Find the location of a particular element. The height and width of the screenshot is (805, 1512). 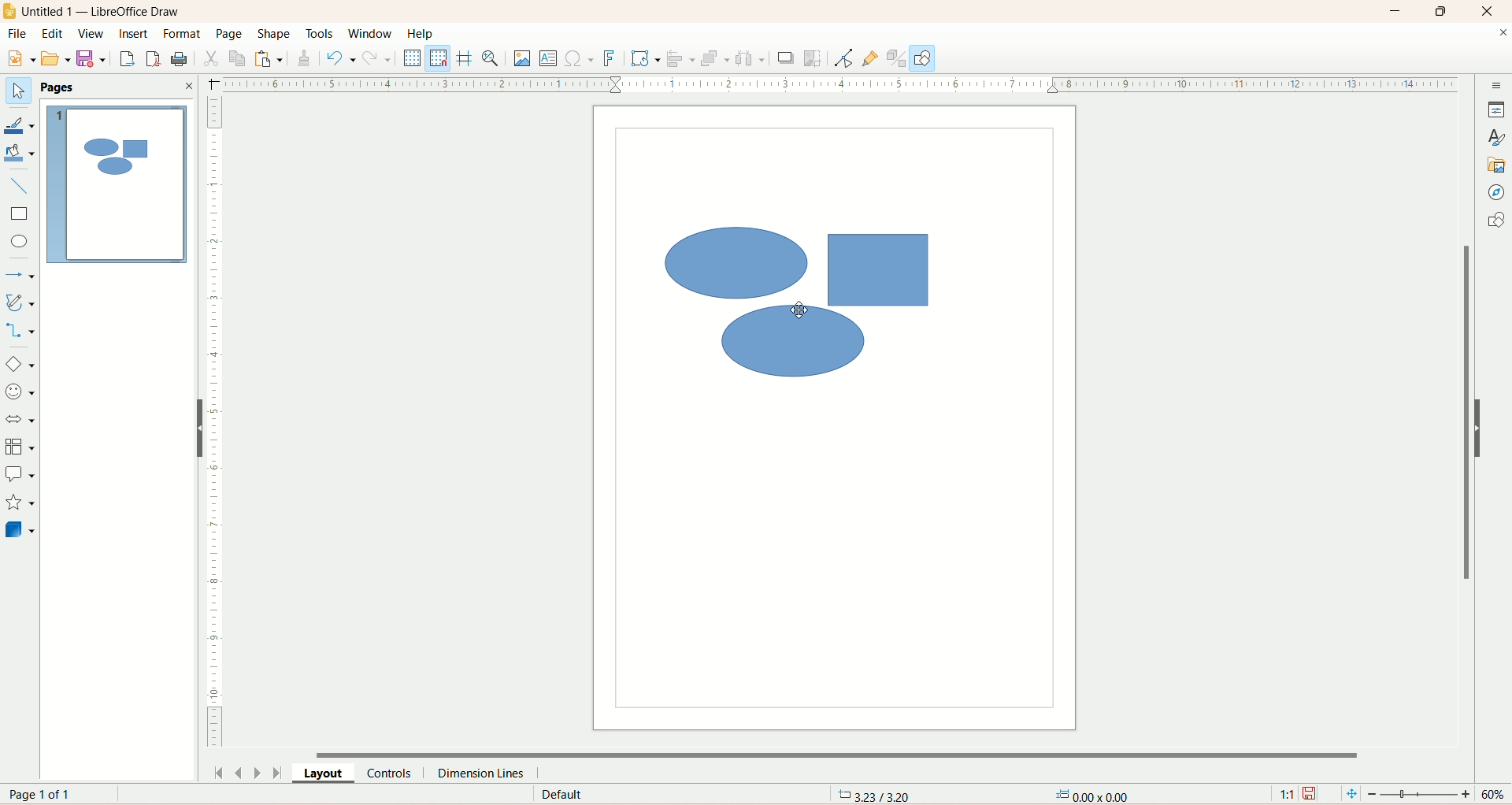

export directly as PDF is located at coordinates (153, 58).